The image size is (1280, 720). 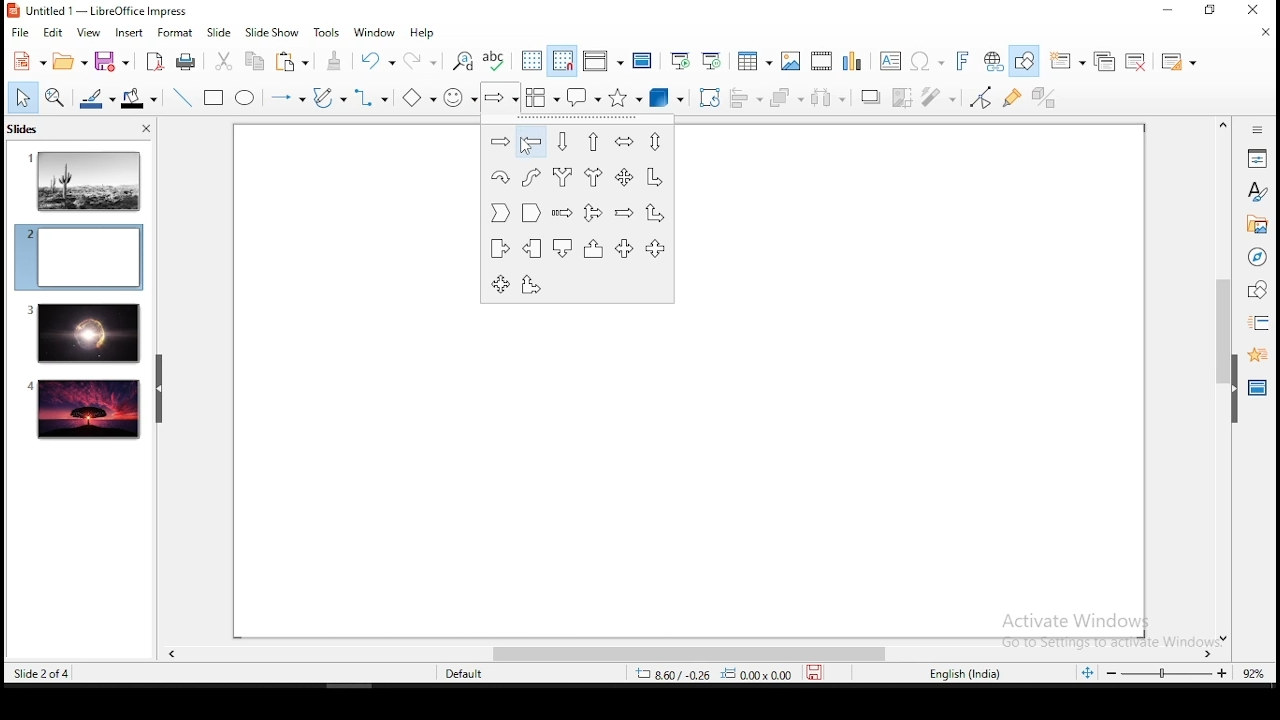 I want to click on zoom level, so click(x=1254, y=672).